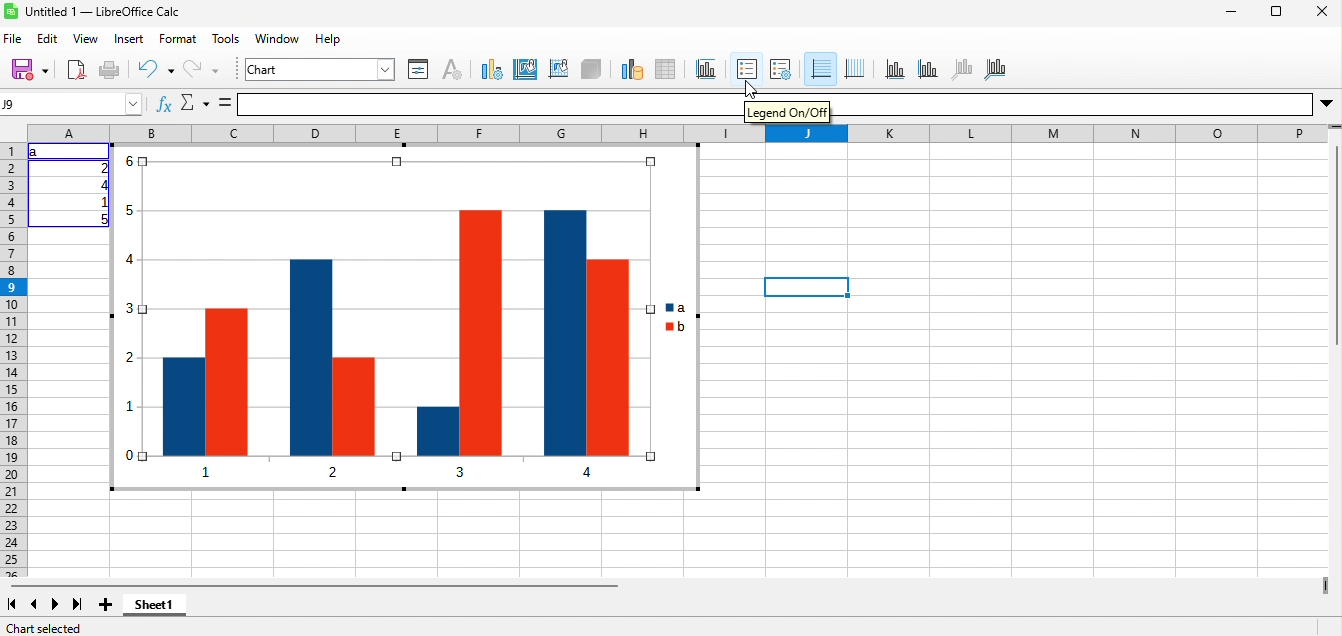 This screenshot has height=636, width=1342. I want to click on insert, so click(130, 40).